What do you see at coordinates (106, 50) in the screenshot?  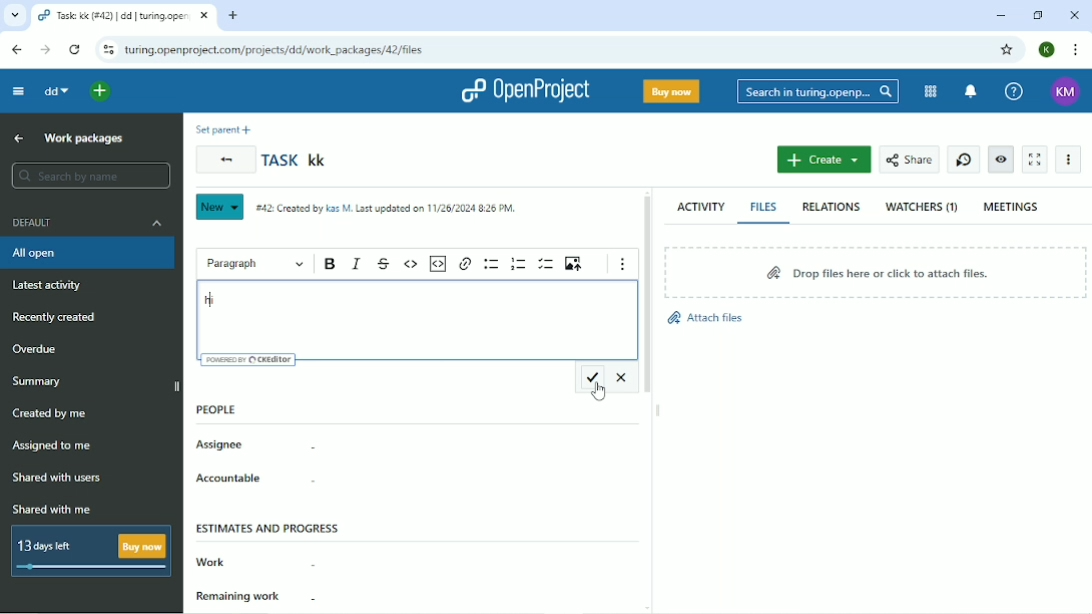 I see `View site information` at bounding box center [106, 50].